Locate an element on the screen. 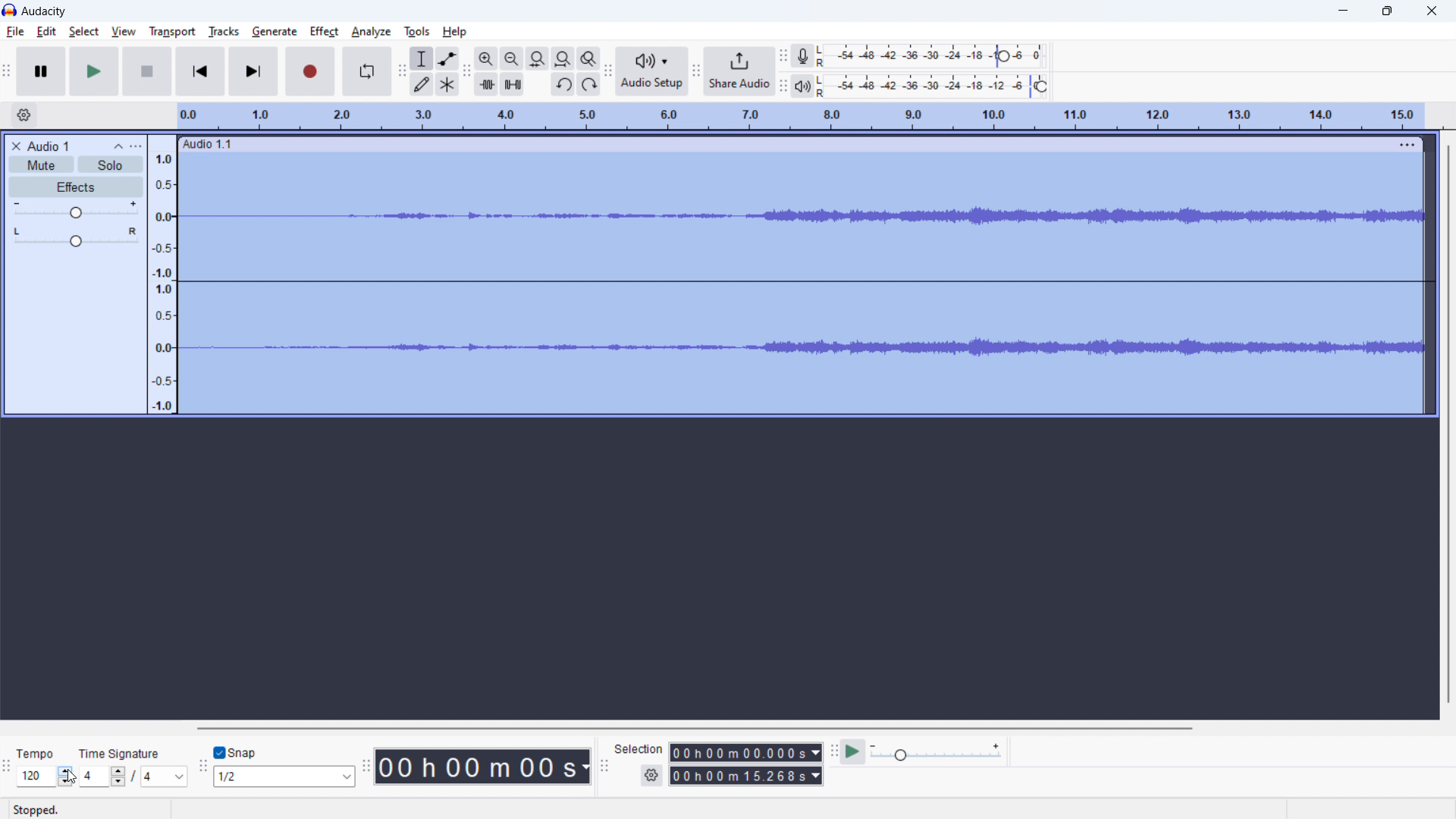 This screenshot has height=819, width=1456. zoom out is located at coordinates (486, 58).